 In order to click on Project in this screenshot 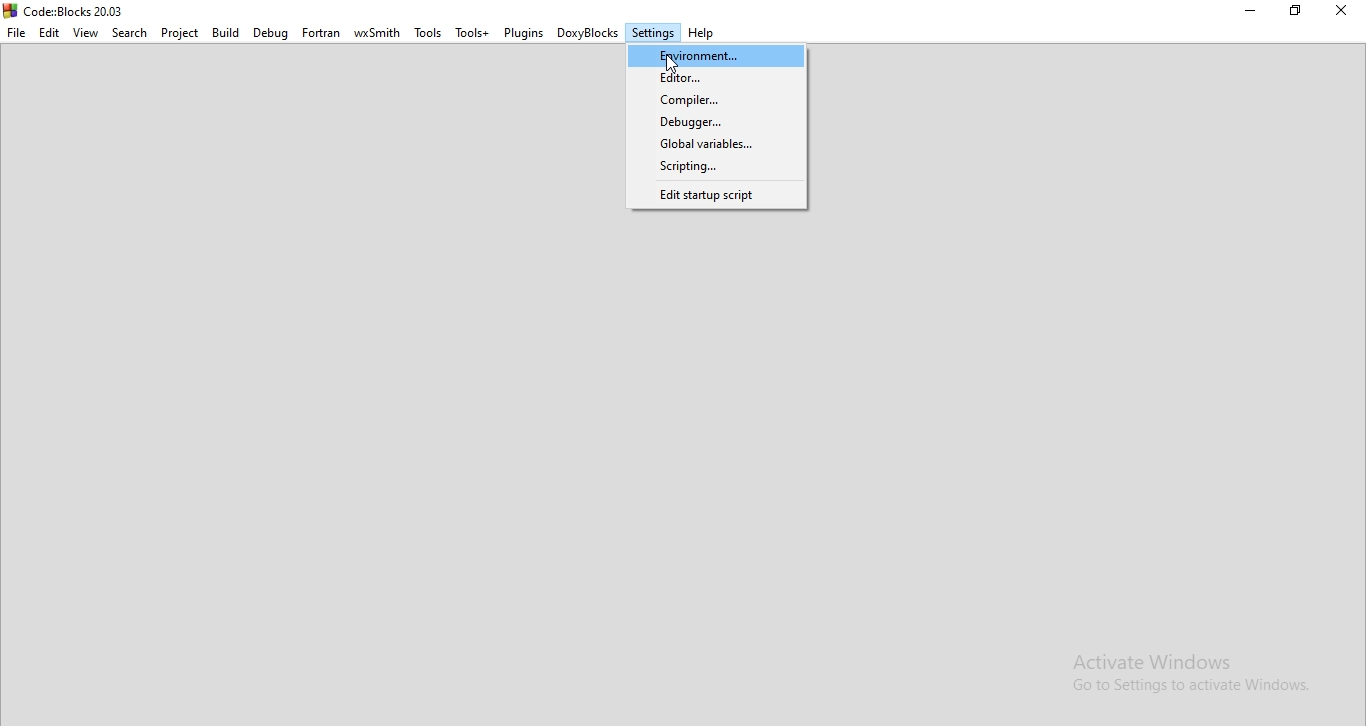, I will do `click(180, 35)`.